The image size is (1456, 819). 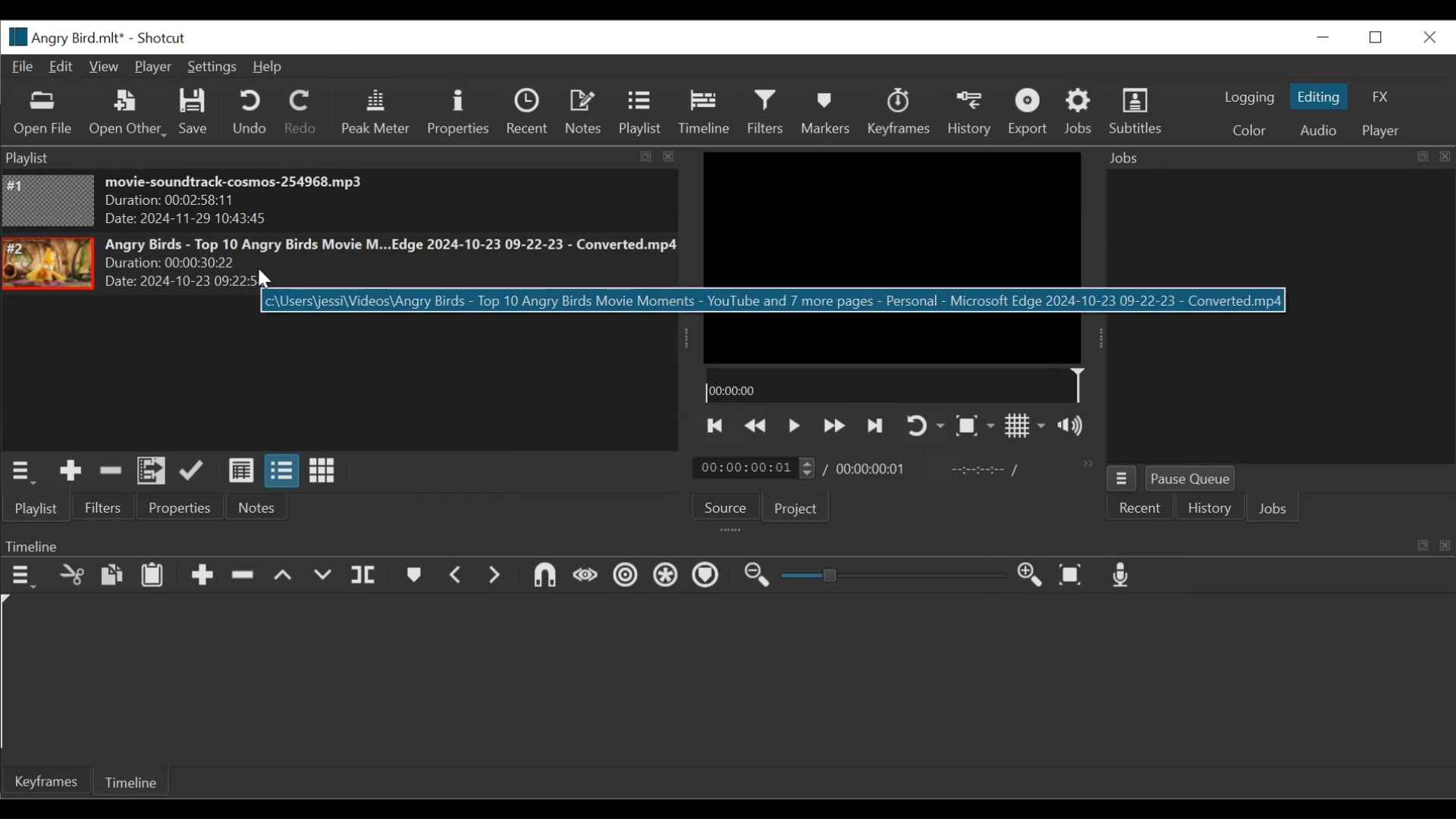 I want to click on Record audio, so click(x=1122, y=576).